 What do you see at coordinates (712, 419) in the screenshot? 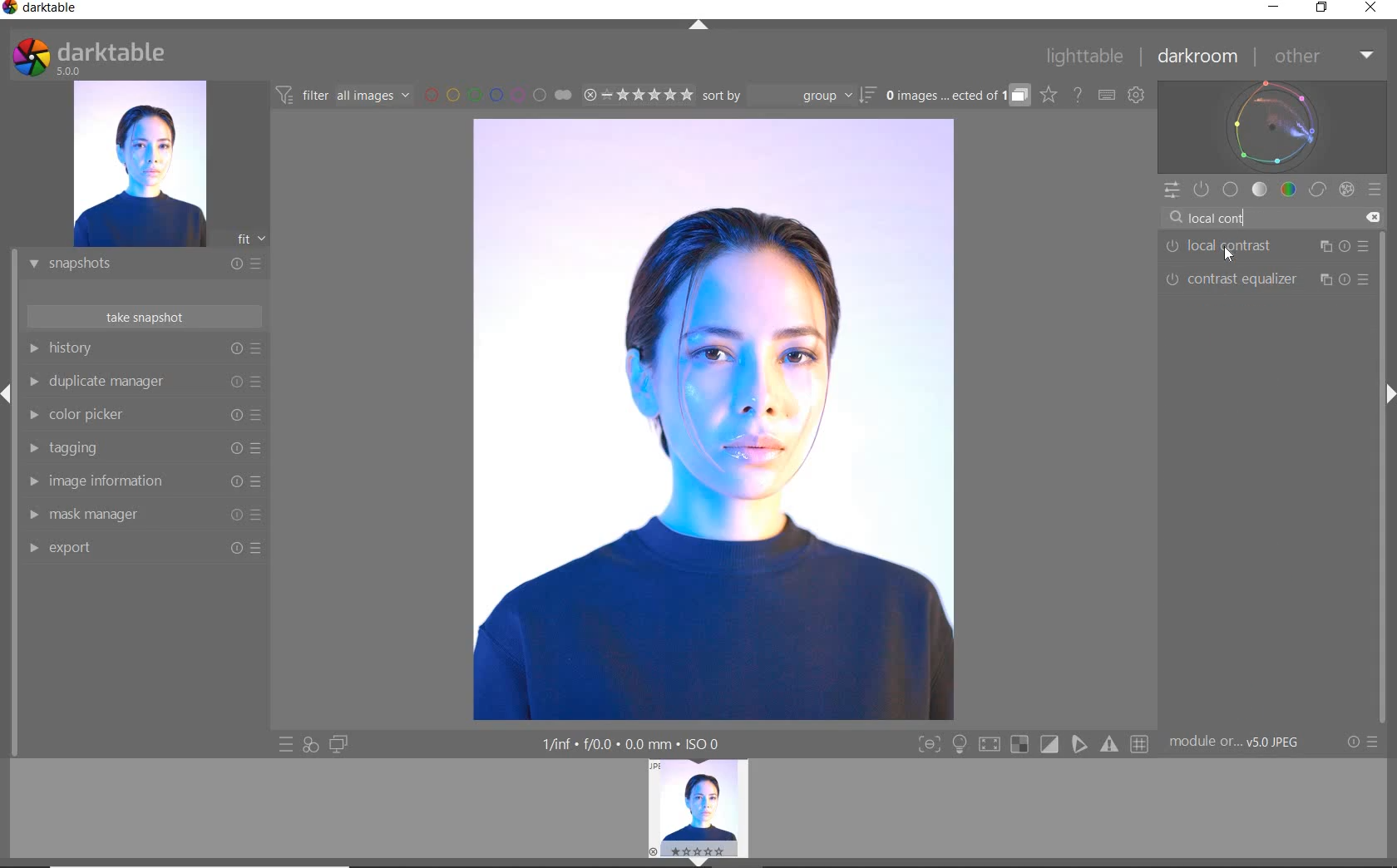
I see `SELECTED IMAGE` at bounding box center [712, 419].